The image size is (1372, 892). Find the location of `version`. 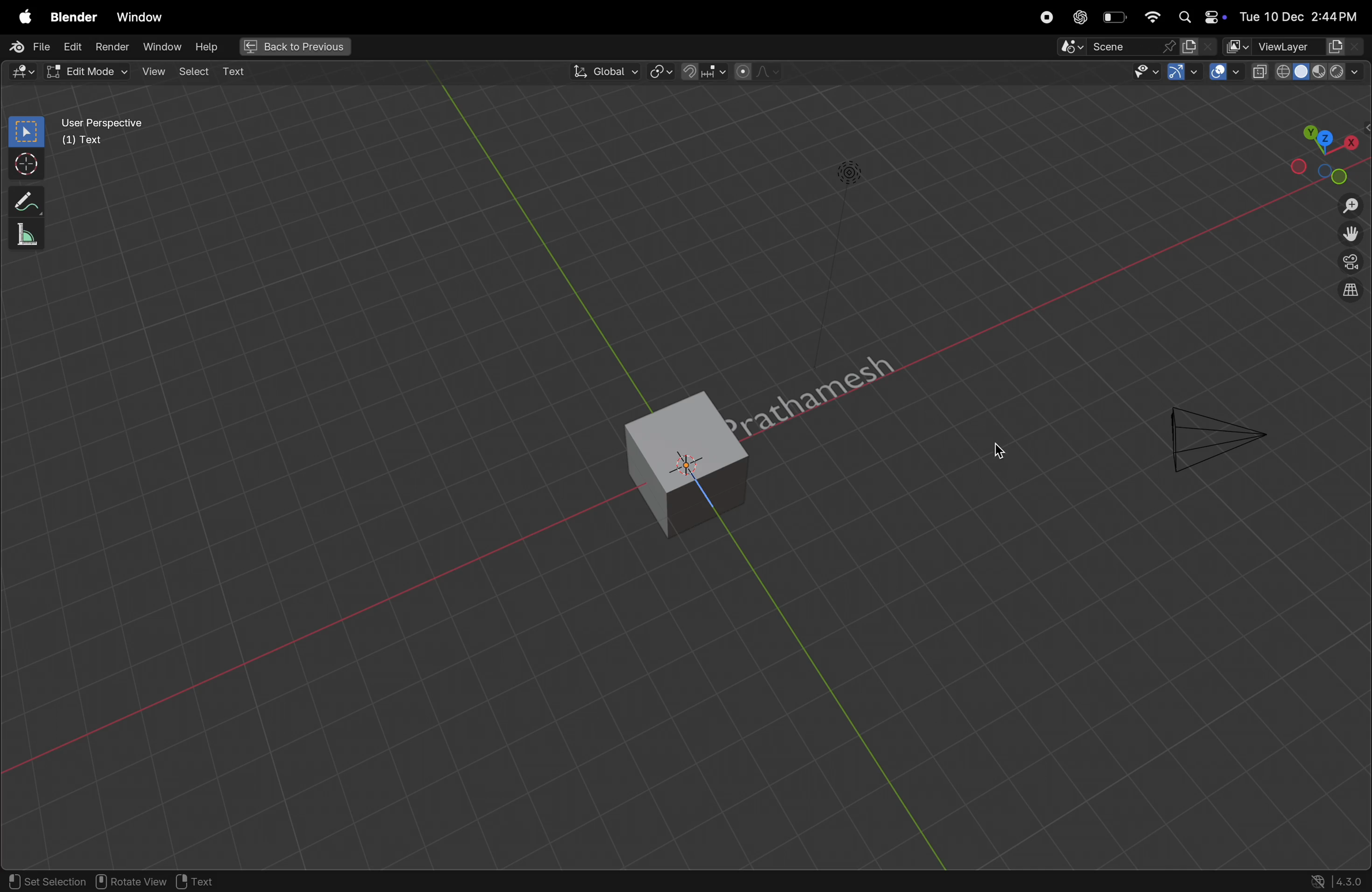

version is located at coordinates (1337, 880).